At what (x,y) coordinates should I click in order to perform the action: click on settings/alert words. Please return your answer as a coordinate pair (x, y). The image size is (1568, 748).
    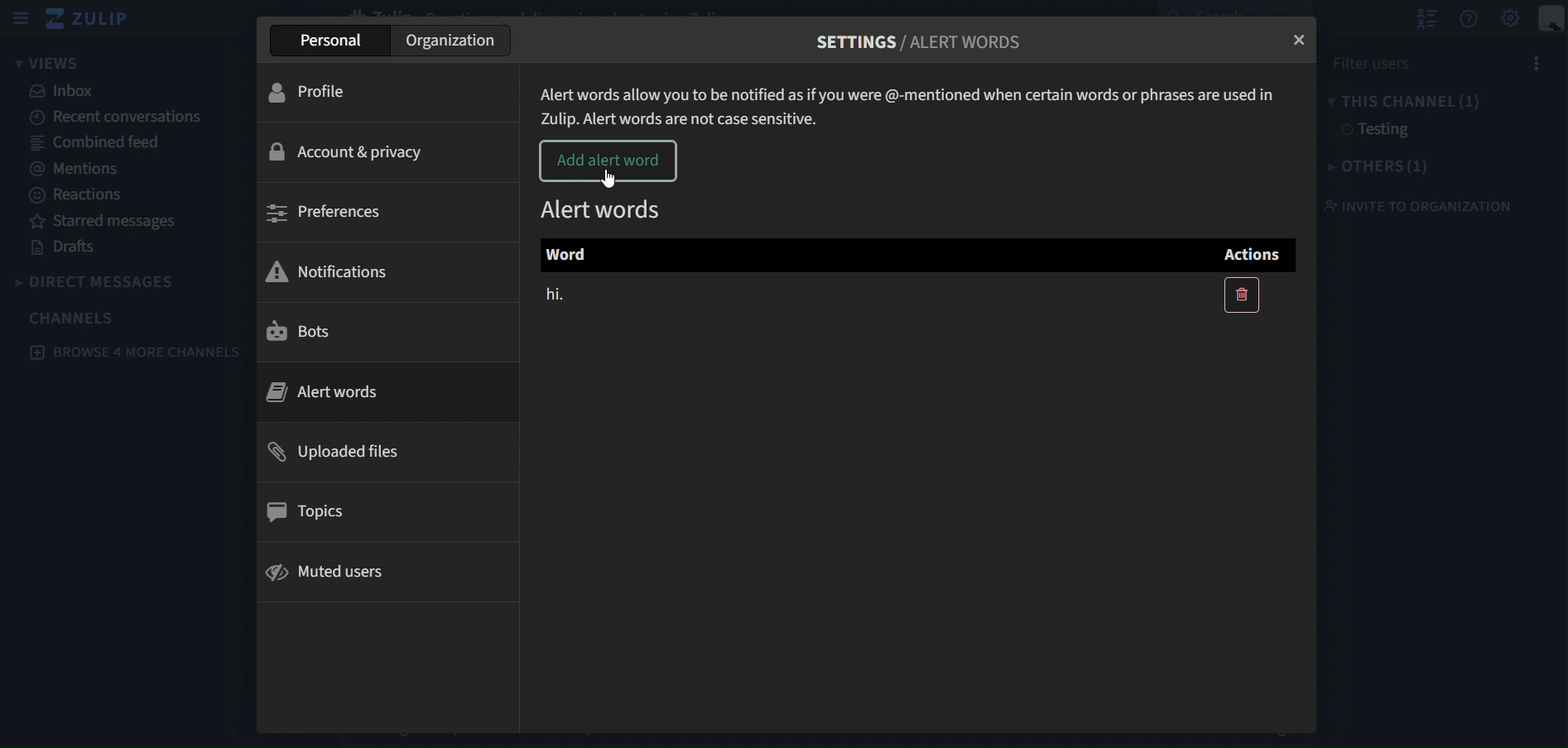
    Looking at the image, I should click on (916, 39).